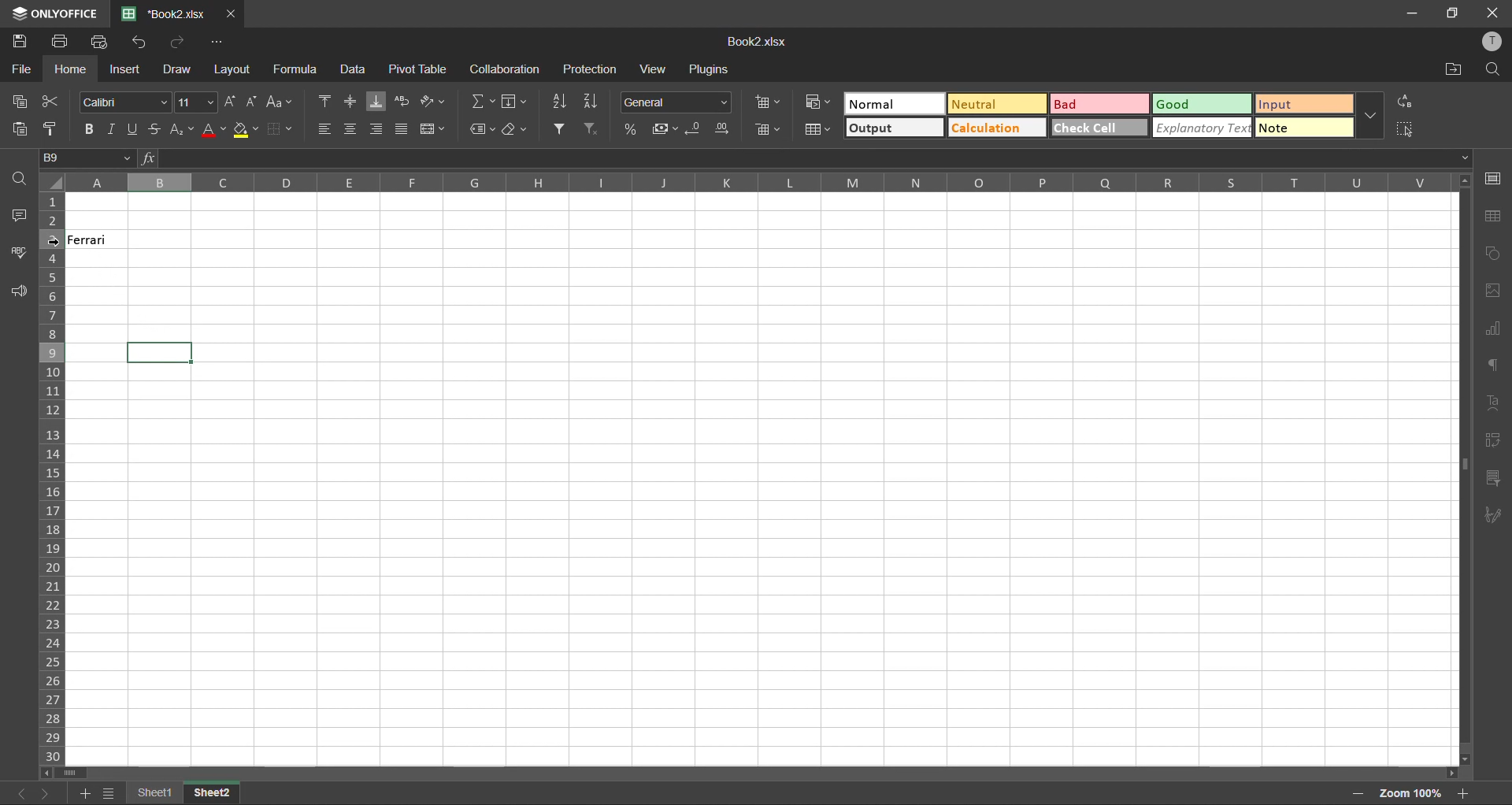 This screenshot has height=805, width=1512. What do you see at coordinates (1408, 103) in the screenshot?
I see `replace` at bounding box center [1408, 103].